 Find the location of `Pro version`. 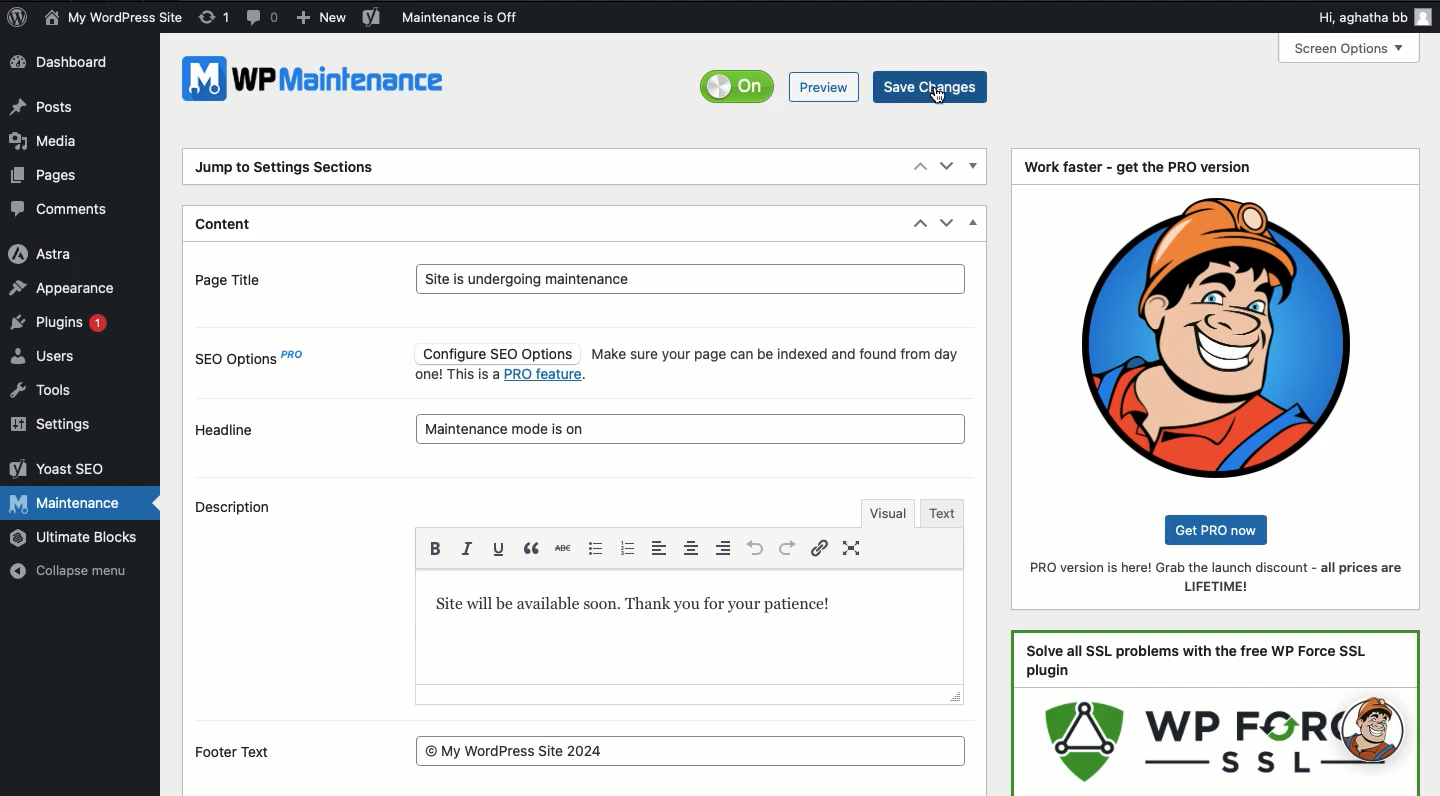

Pro version is located at coordinates (1219, 578).